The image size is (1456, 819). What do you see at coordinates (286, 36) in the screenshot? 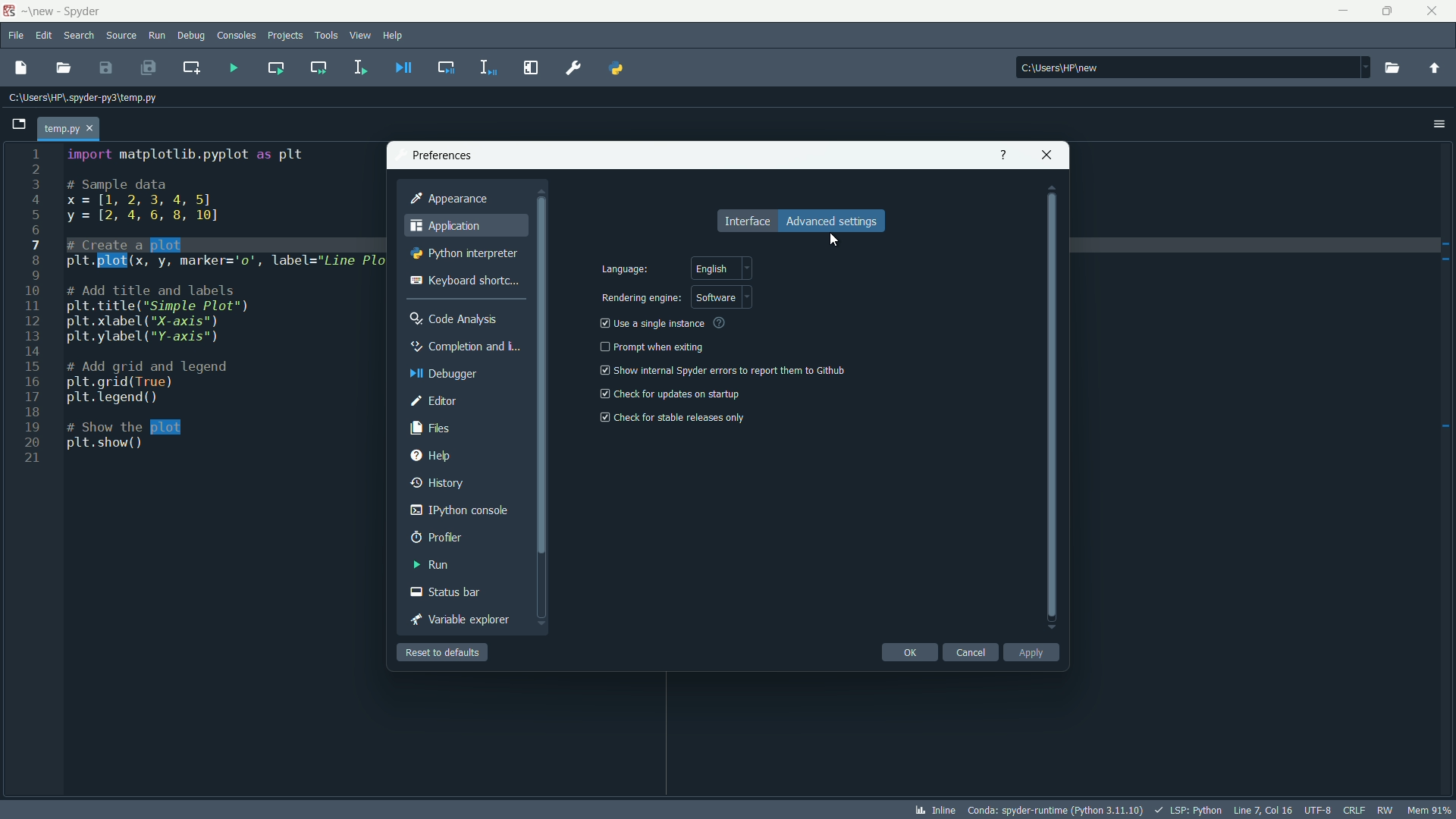
I see `projects` at bounding box center [286, 36].